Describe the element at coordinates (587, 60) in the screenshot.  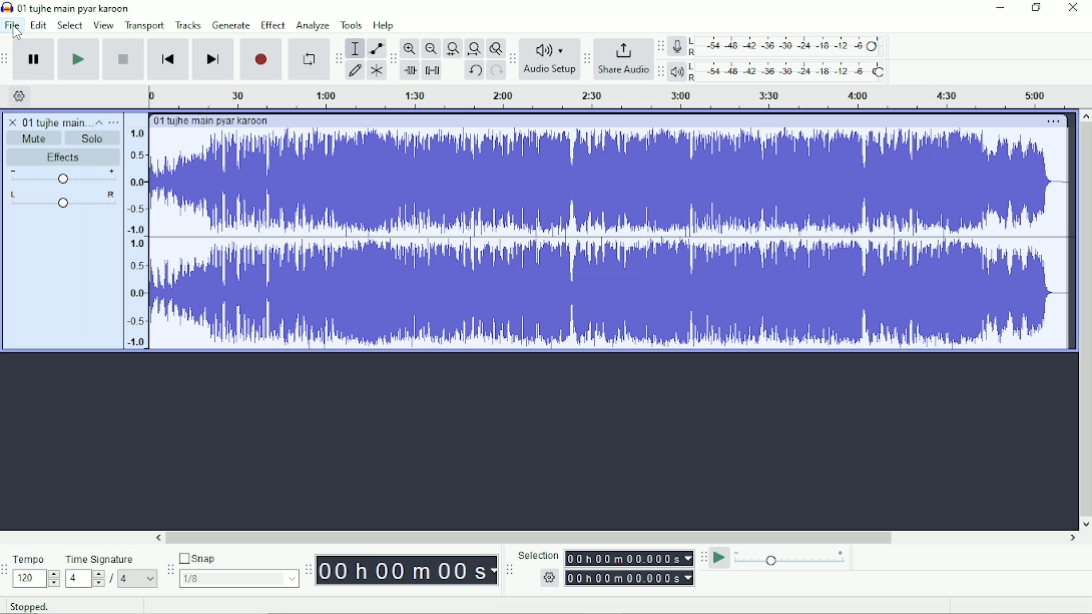
I see `Audacity share audio toolbar` at that location.